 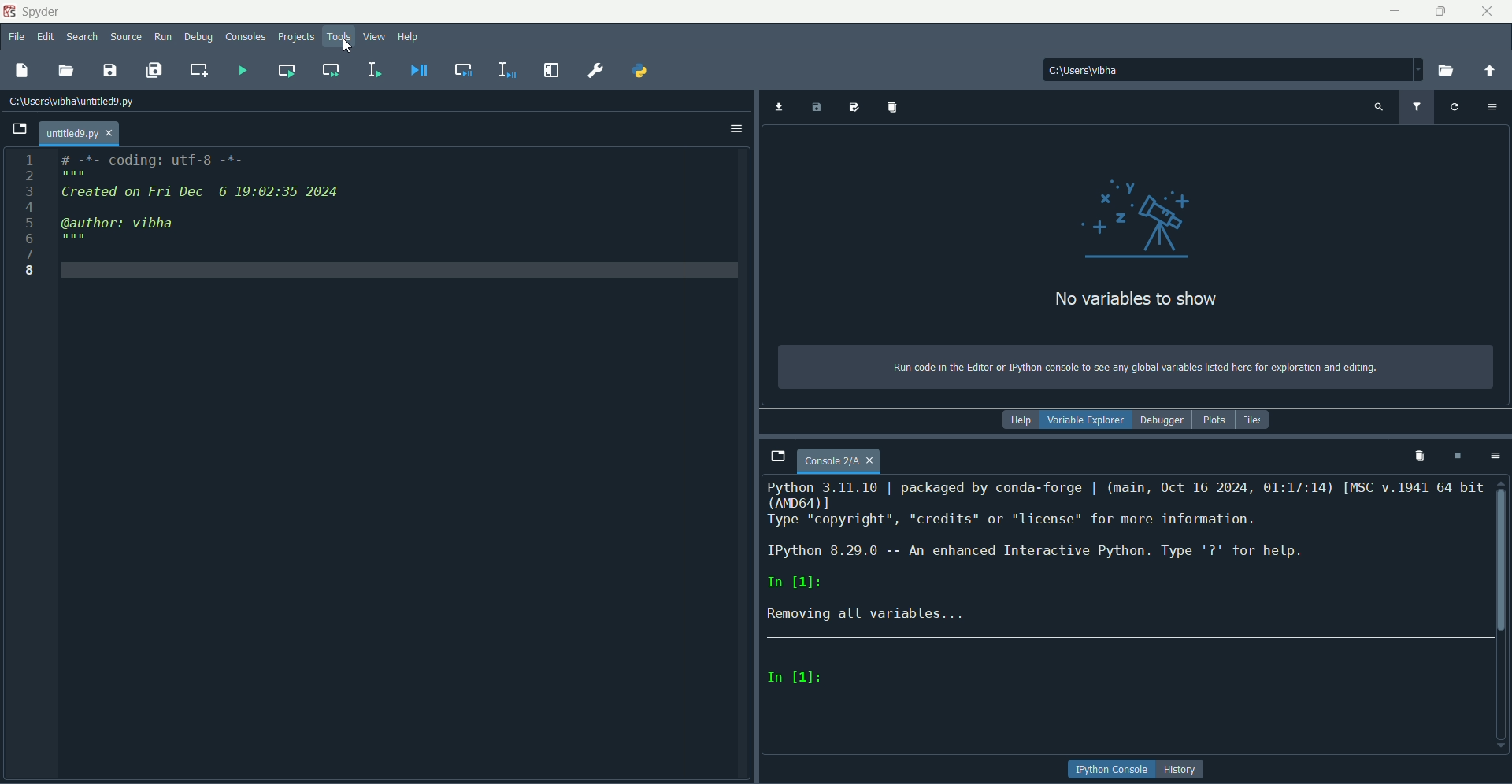 I want to click on debugger, so click(x=1162, y=420).